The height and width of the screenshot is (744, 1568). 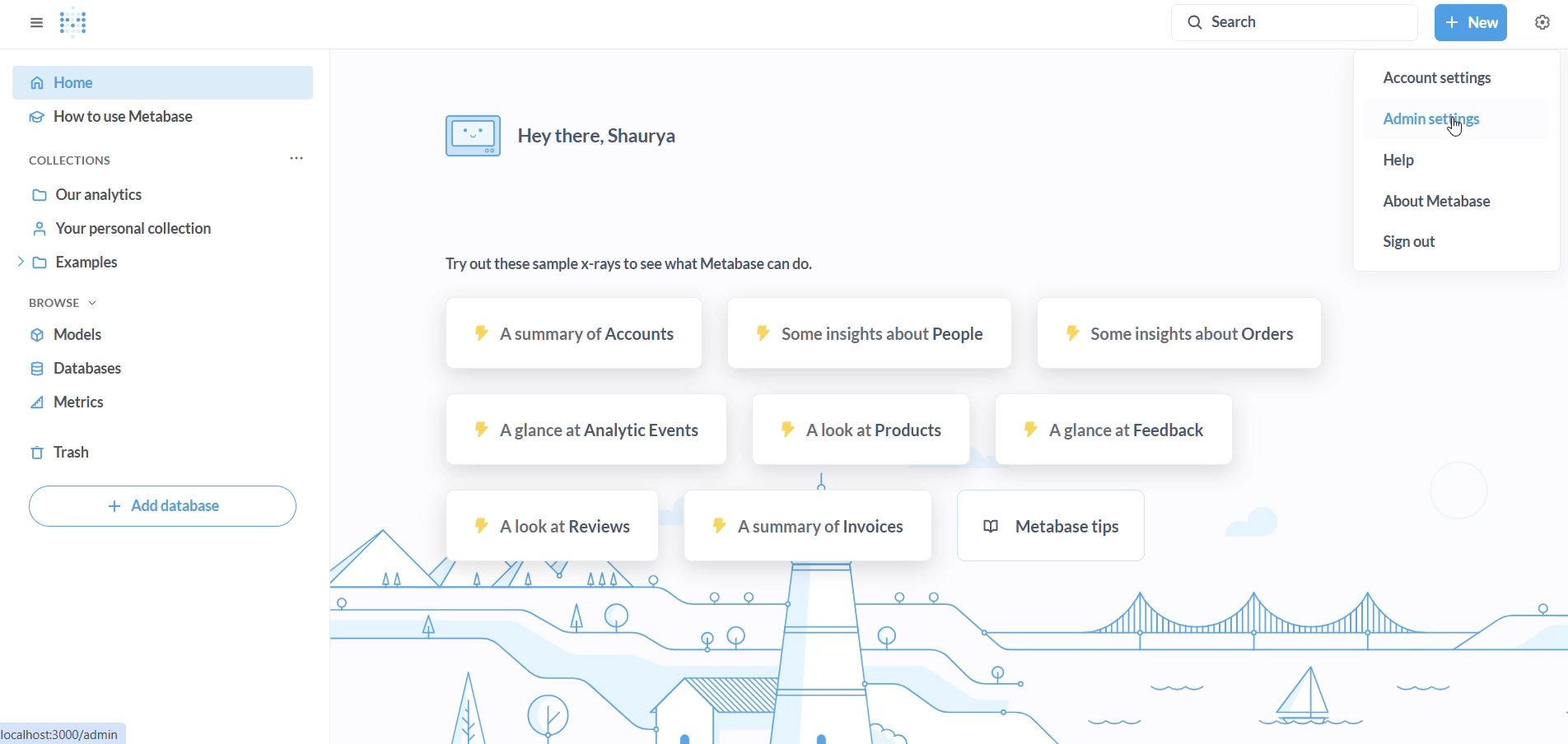 What do you see at coordinates (865, 430) in the screenshot?
I see `¥ Alook at Products` at bounding box center [865, 430].